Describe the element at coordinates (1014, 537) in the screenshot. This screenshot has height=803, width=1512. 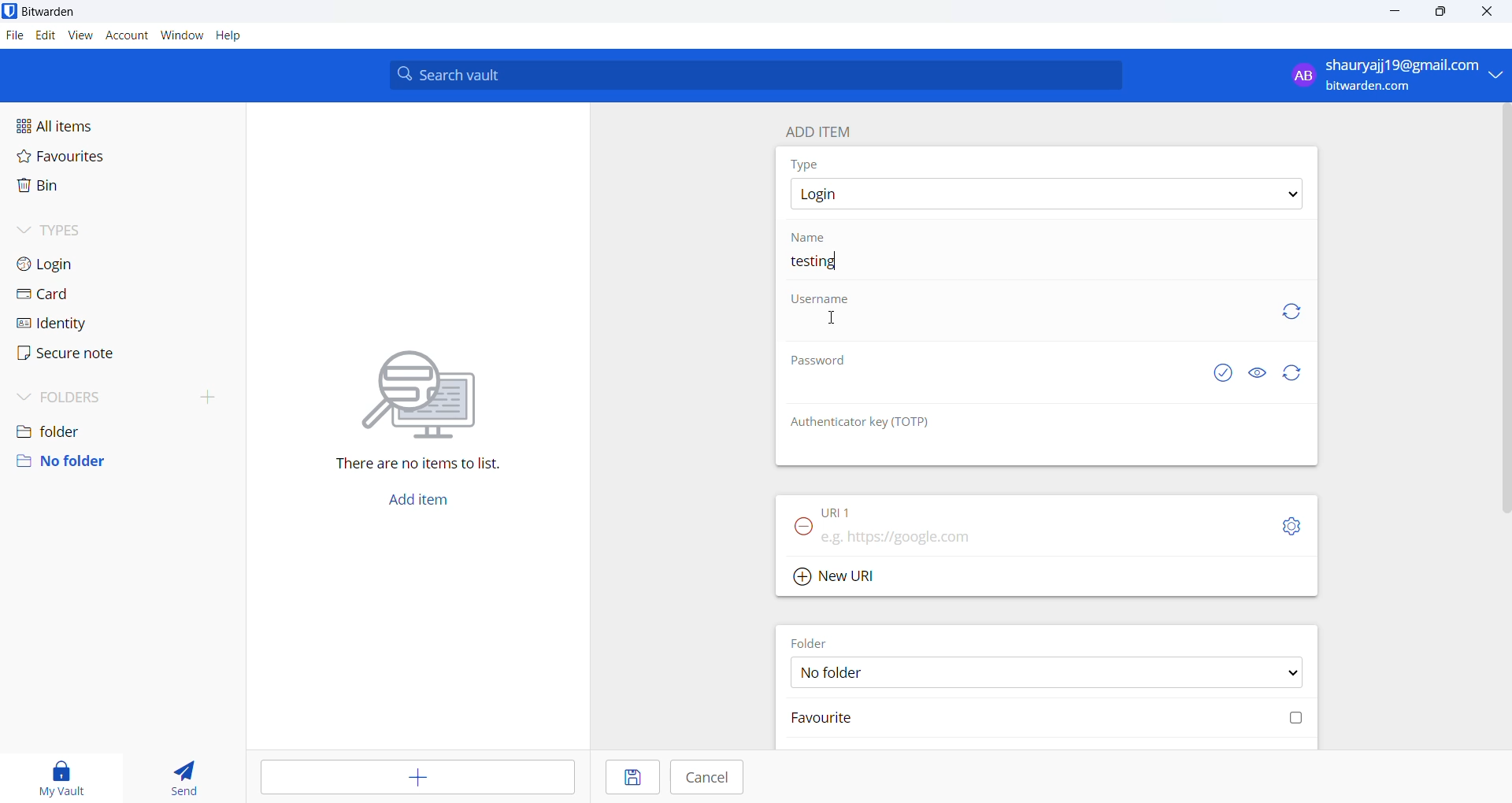
I see `URL input` at that location.